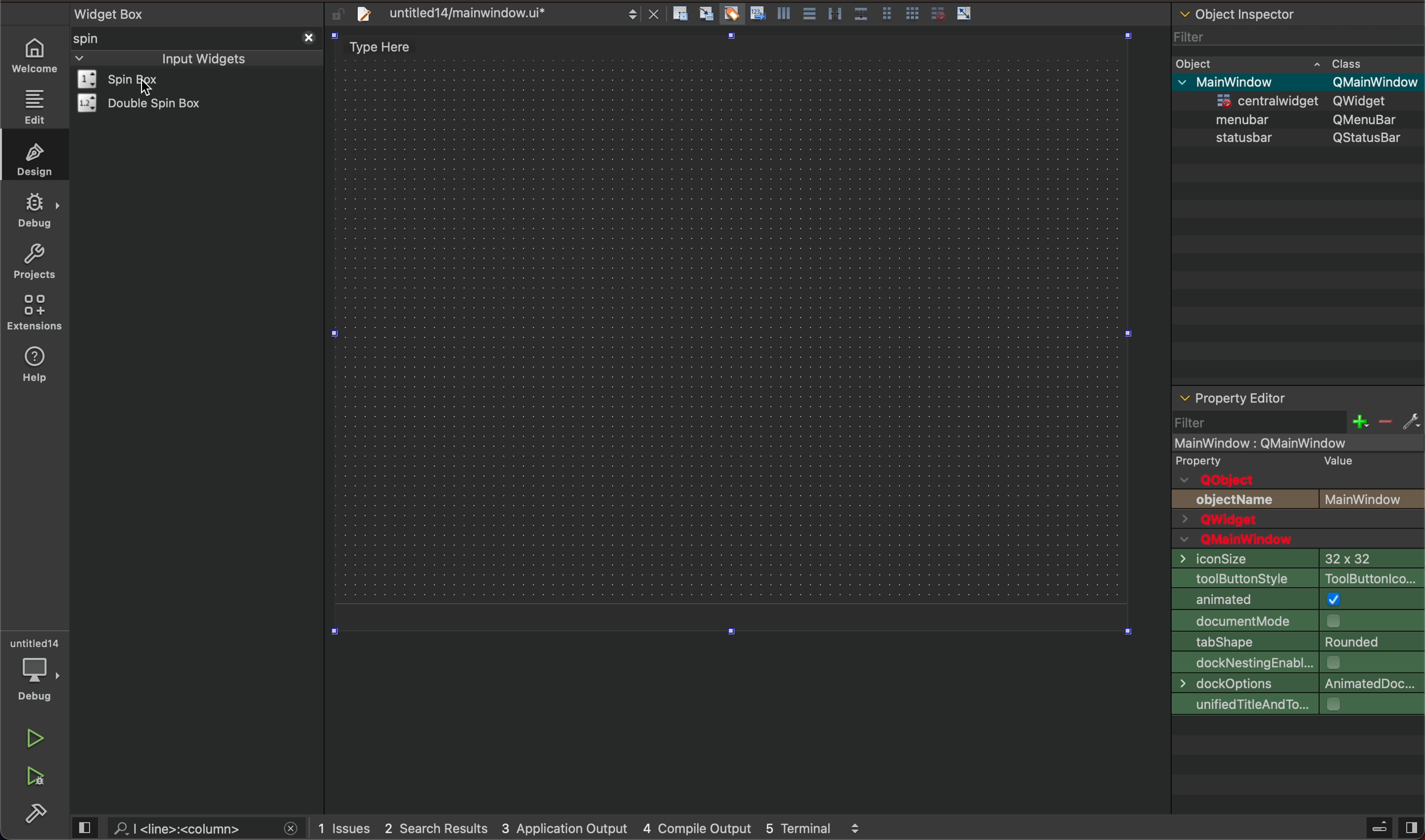  I want to click on run, so click(33, 739).